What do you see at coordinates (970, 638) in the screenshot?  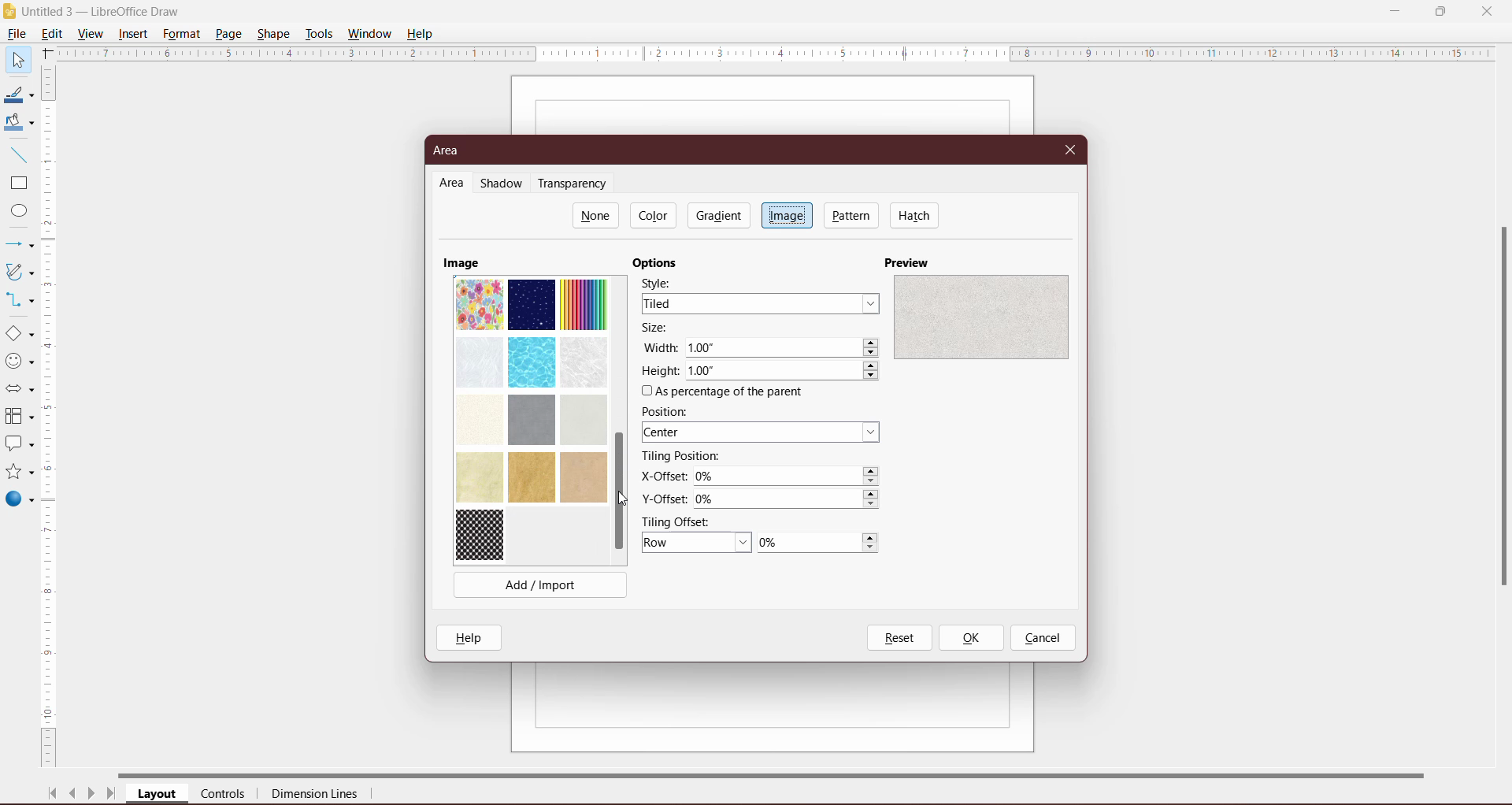 I see `OK` at bounding box center [970, 638].